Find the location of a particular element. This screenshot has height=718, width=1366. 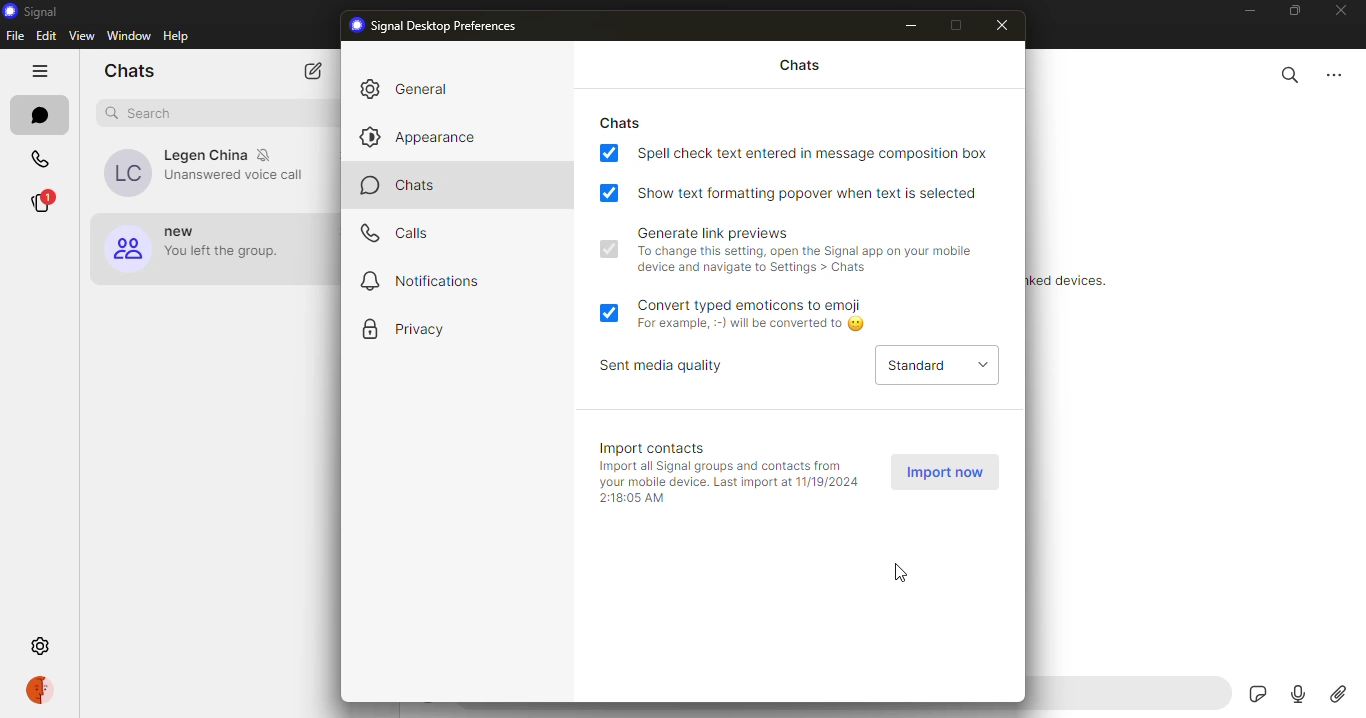

enabled is located at coordinates (608, 153).